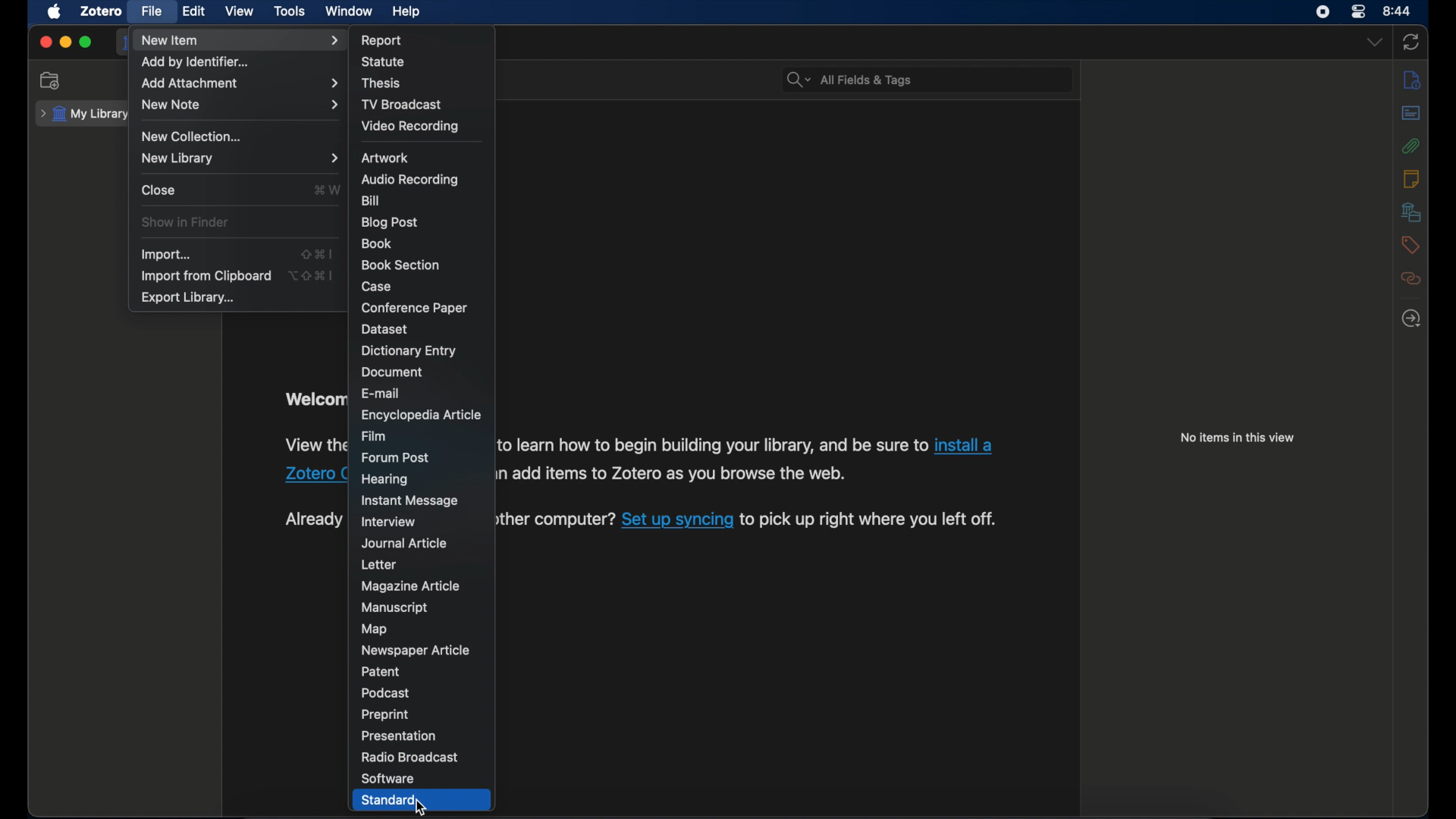  What do you see at coordinates (1410, 245) in the screenshot?
I see `tags` at bounding box center [1410, 245].